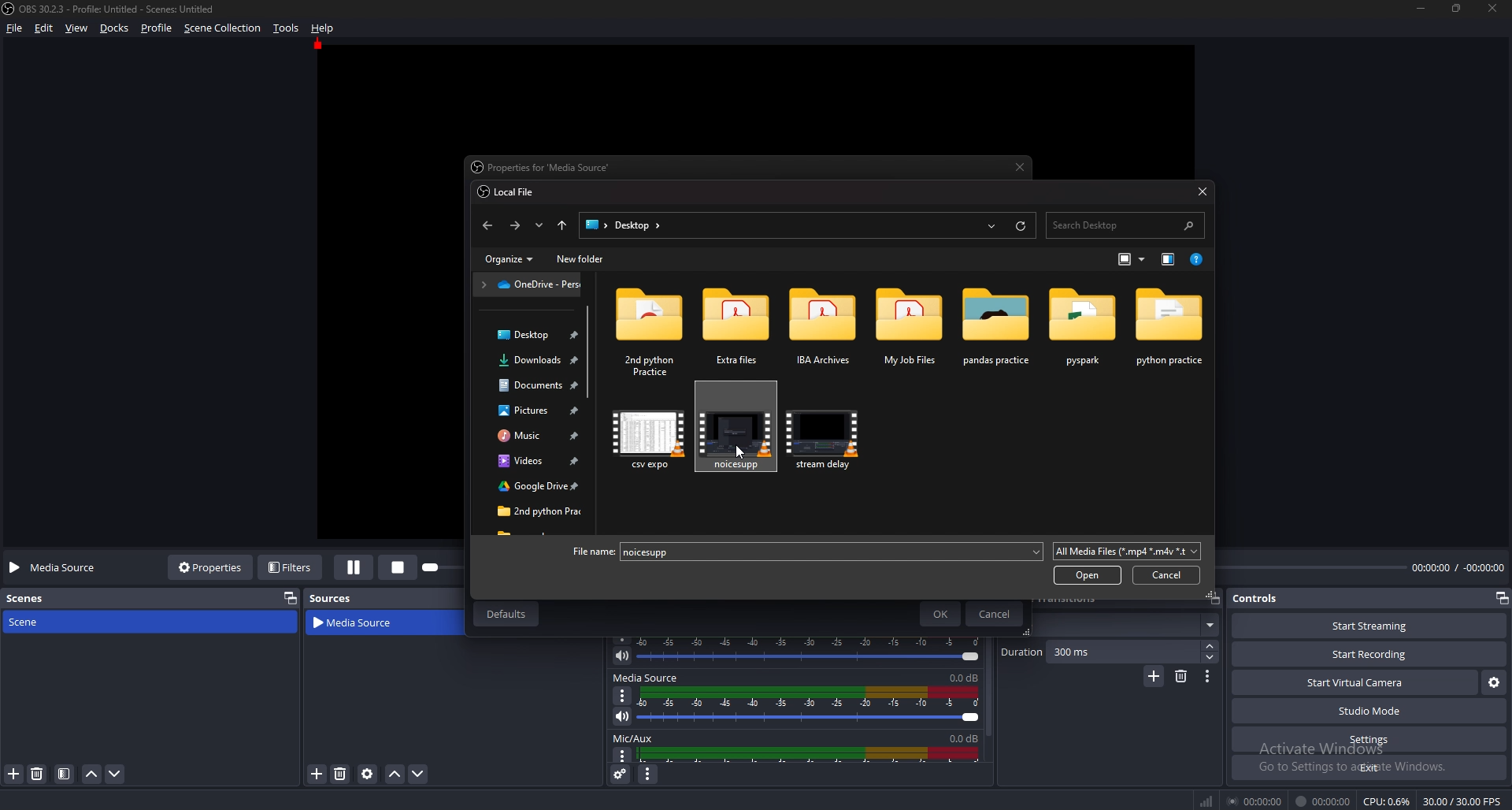 This screenshot has width=1512, height=810. What do you see at coordinates (814, 705) in the screenshot?
I see `media source soundbar` at bounding box center [814, 705].